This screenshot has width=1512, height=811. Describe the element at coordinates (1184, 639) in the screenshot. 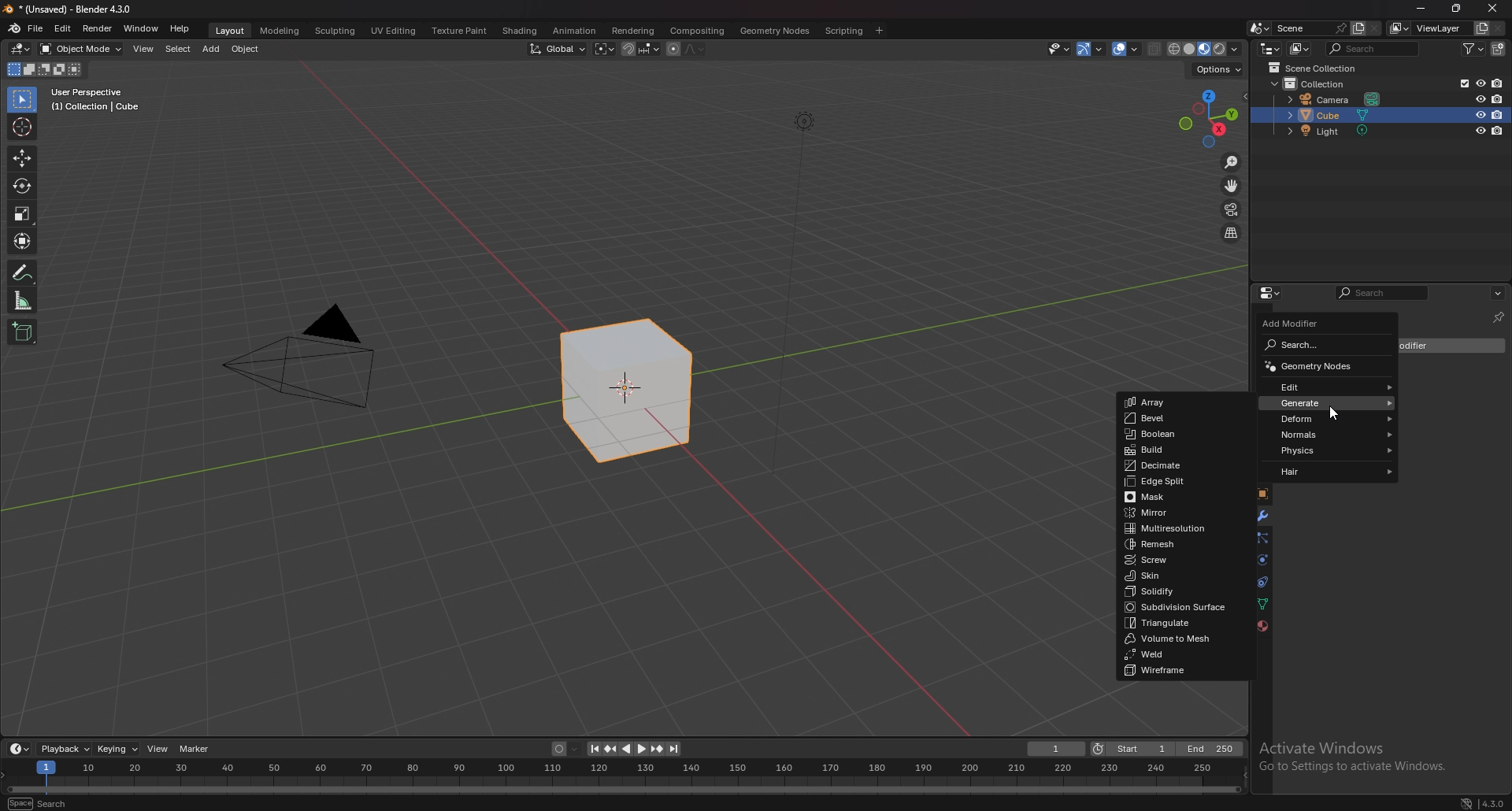

I see `volume to mesh` at that location.